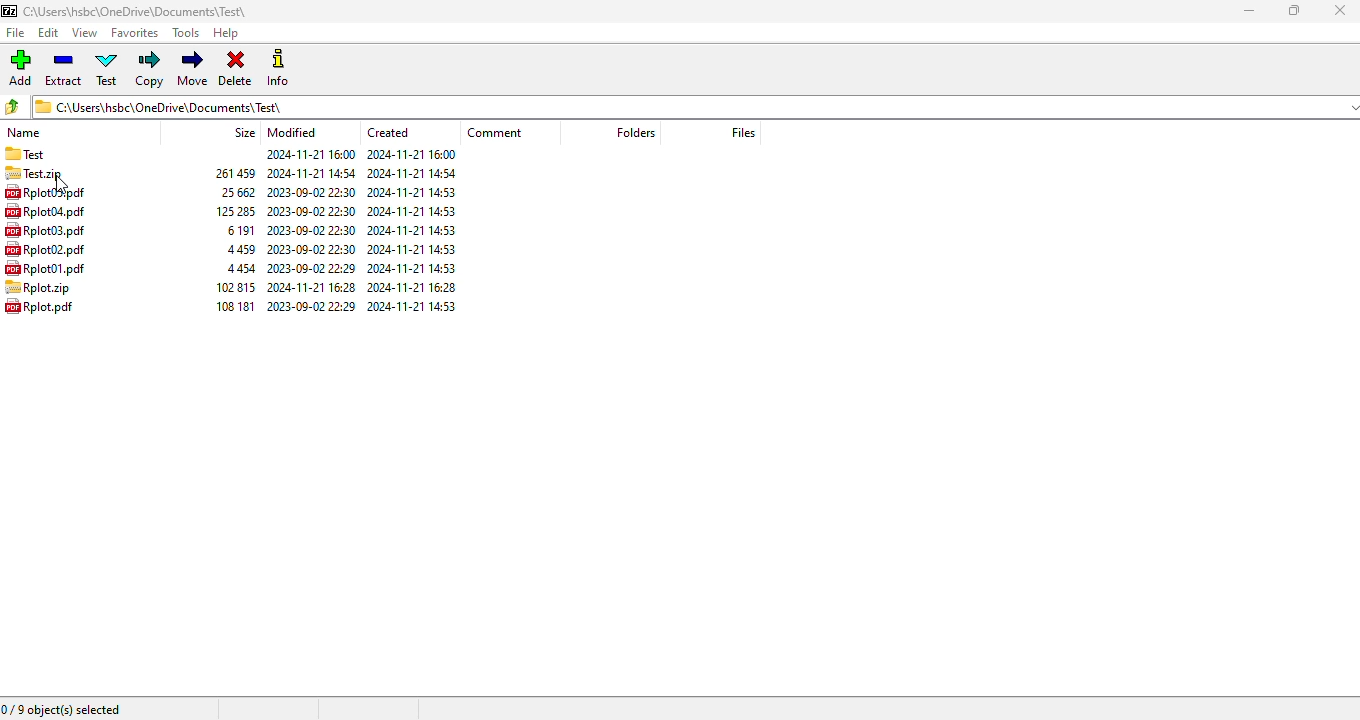  What do you see at coordinates (86, 32) in the screenshot?
I see `view` at bounding box center [86, 32].